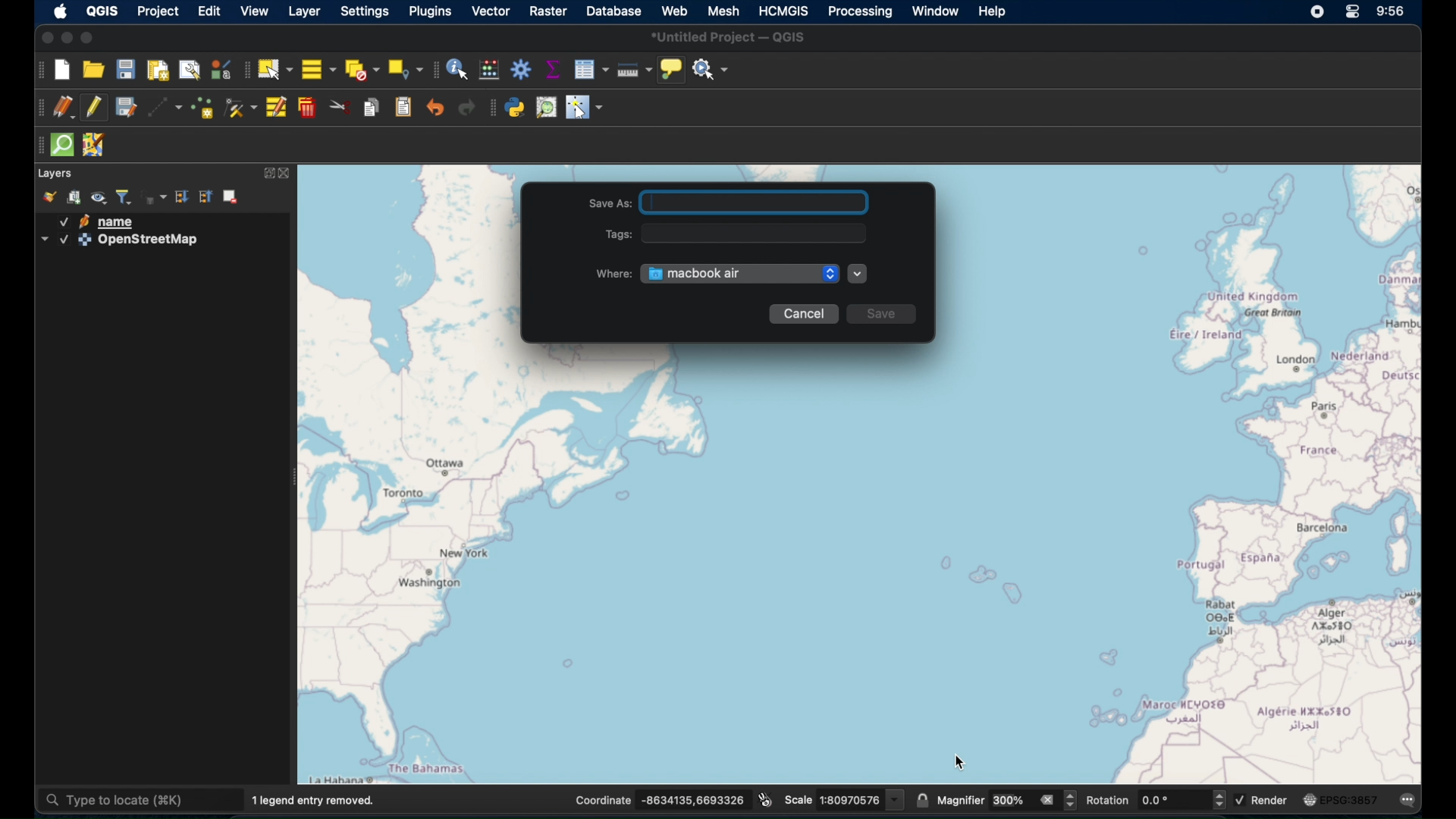 The height and width of the screenshot is (819, 1456). Describe the element at coordinates (1263, 799) in the screenshot. I see `render` at that location.